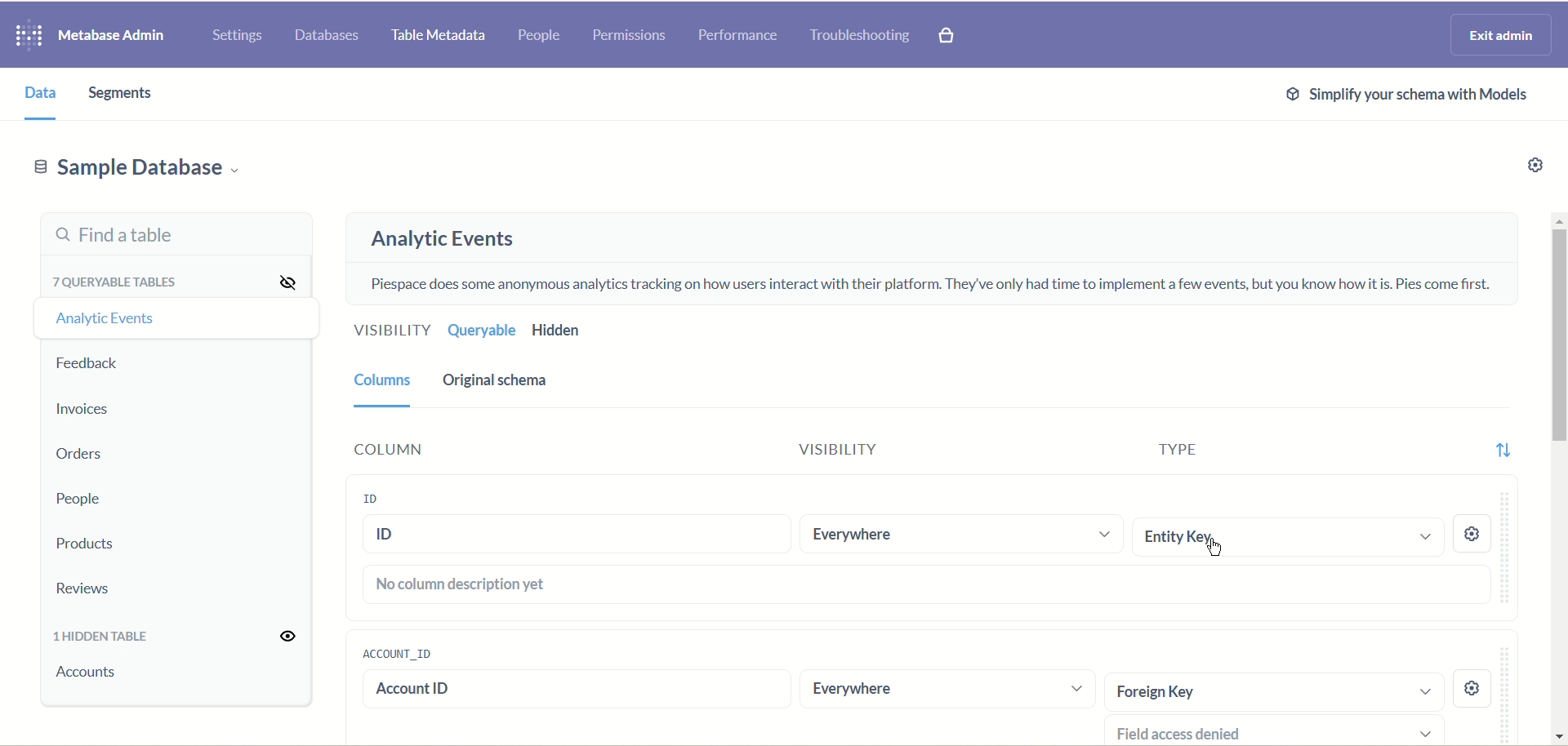 Image resolution: width=1568 pixels, height=746 pixels. I want to click on sort, so click(1505, 449).